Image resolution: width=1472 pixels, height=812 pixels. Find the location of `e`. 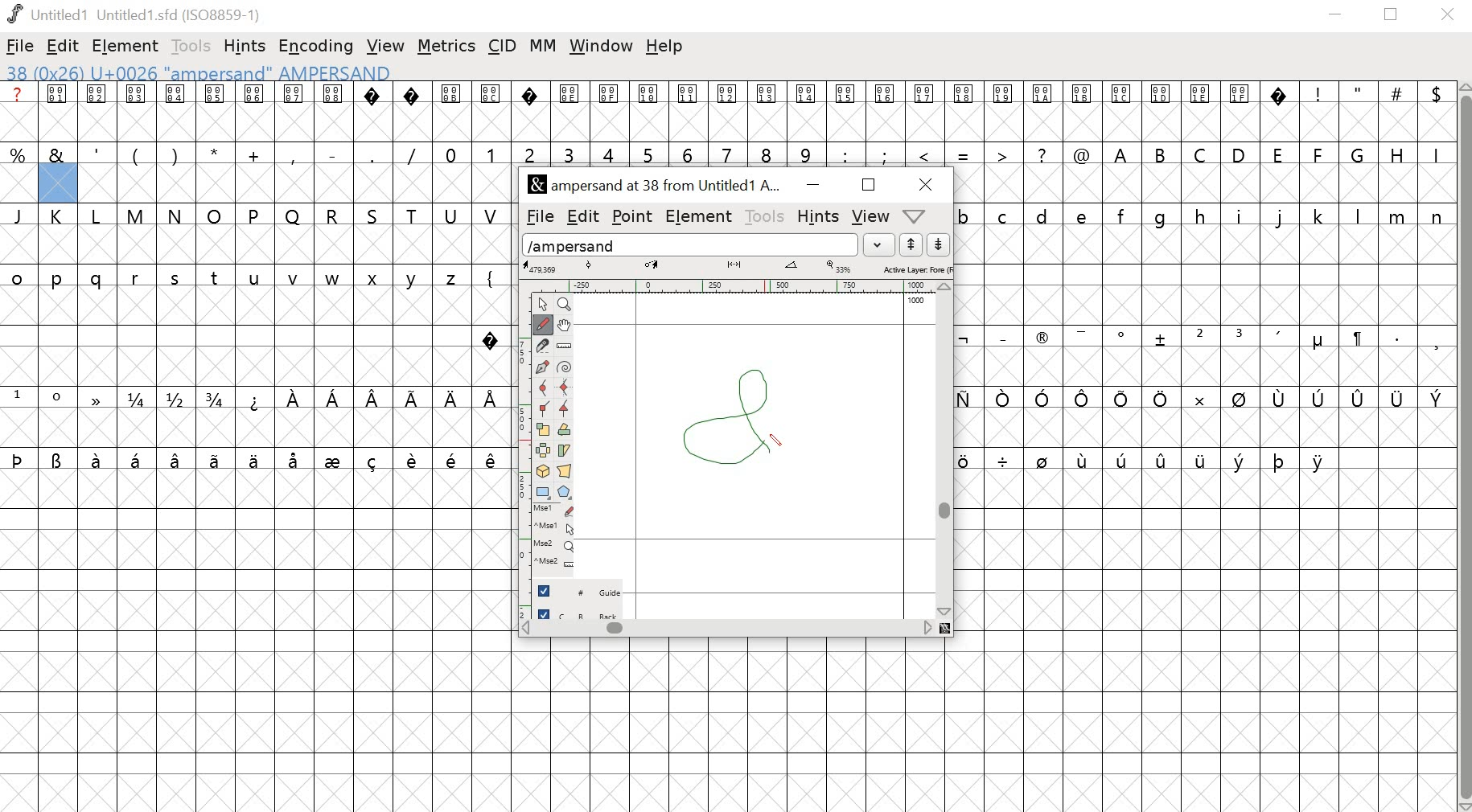

e is located at coordinates (1084, 215).